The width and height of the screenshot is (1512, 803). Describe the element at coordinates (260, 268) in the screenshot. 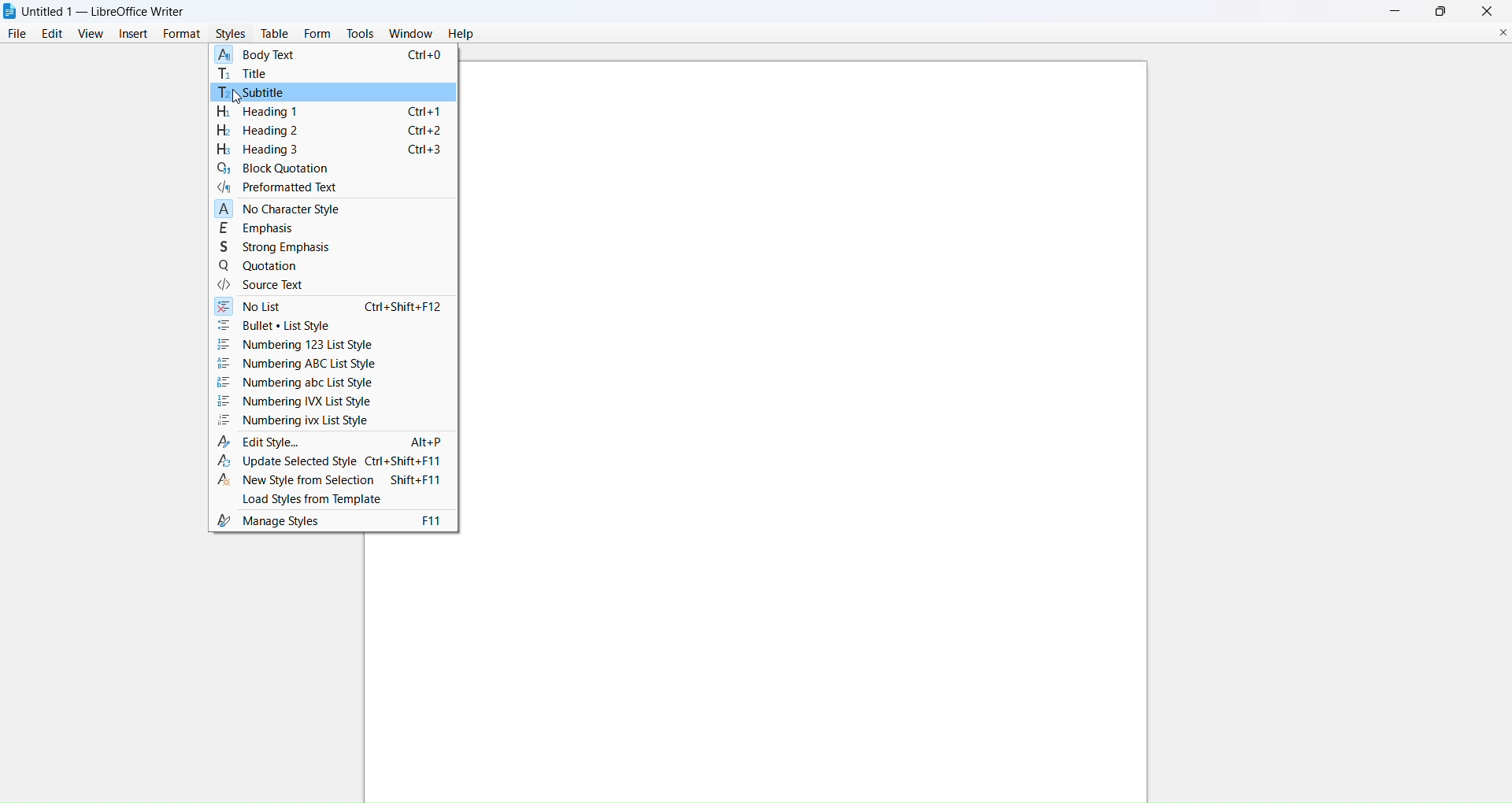

I see `quotation` at that location.